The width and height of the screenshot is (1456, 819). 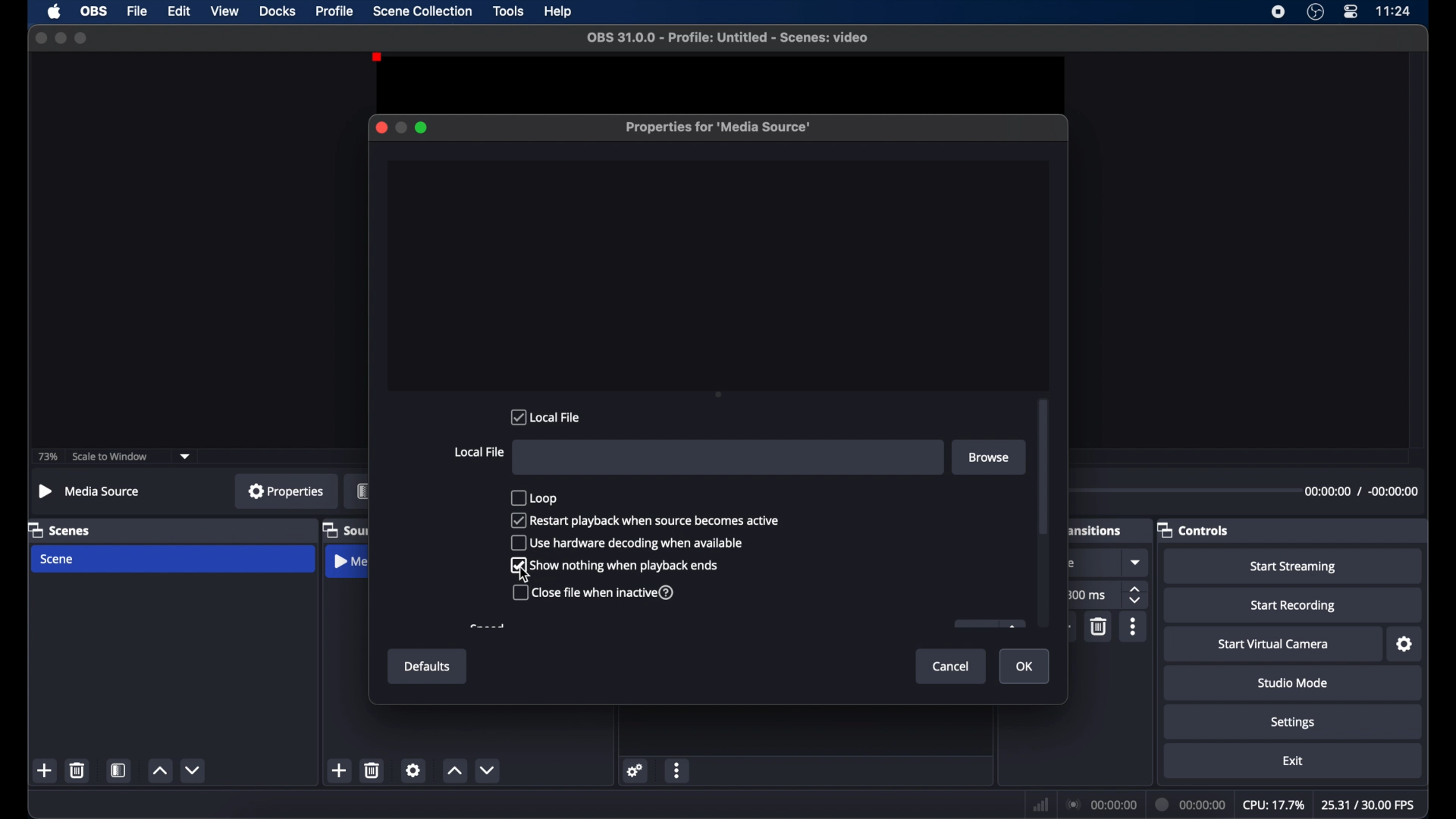 What do you see at coordinates (1100, 805) in the screenshot?
I see `connection` at bounding box center [1100, 805].